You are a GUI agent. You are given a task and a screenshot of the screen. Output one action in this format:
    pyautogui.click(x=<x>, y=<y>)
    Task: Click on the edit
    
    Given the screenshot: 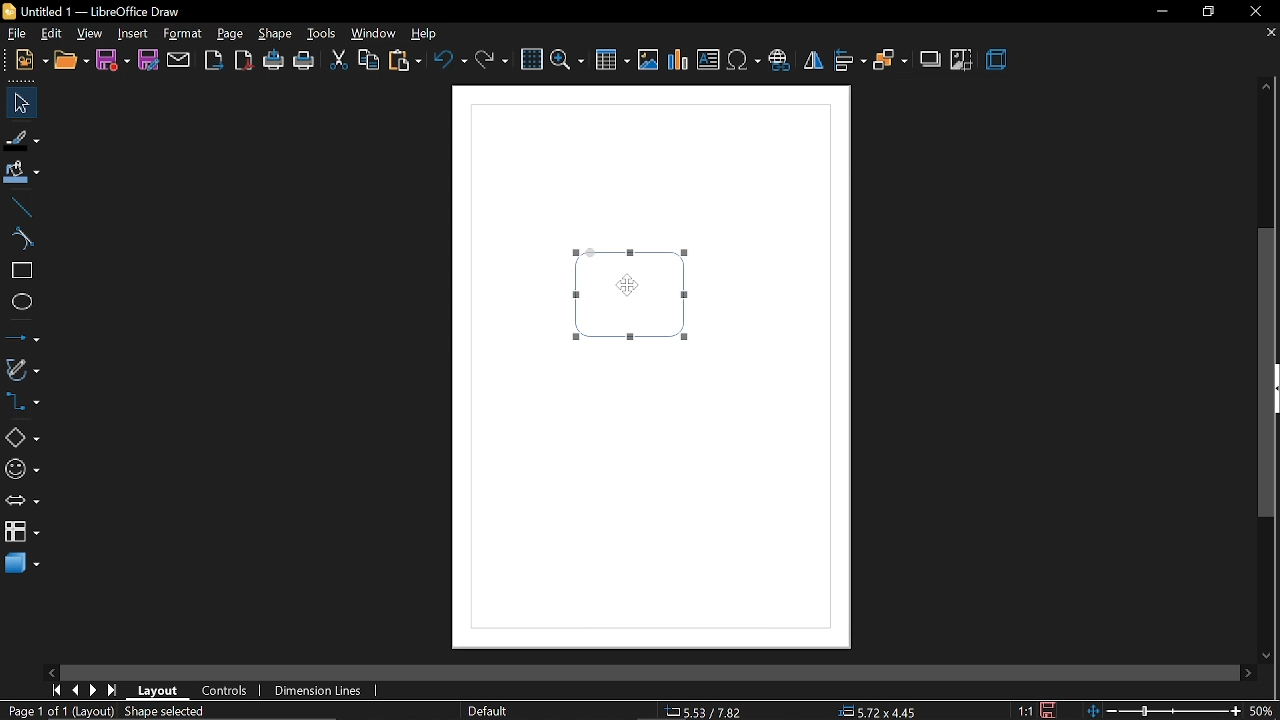 What is the action you would take?
    pyautogui.click(x=54, y=33)
    